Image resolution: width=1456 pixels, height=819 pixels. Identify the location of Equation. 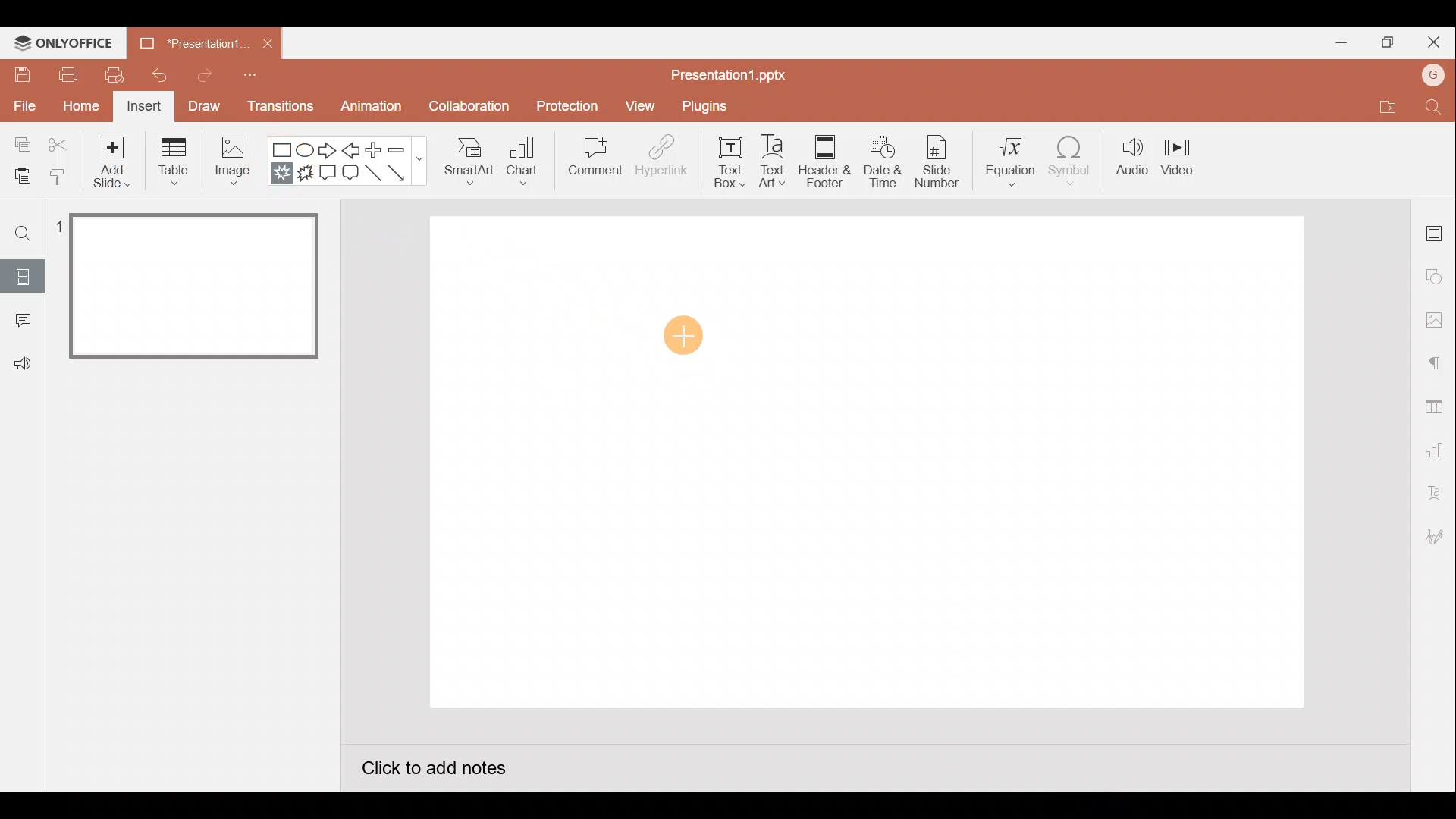
(1006, 163).